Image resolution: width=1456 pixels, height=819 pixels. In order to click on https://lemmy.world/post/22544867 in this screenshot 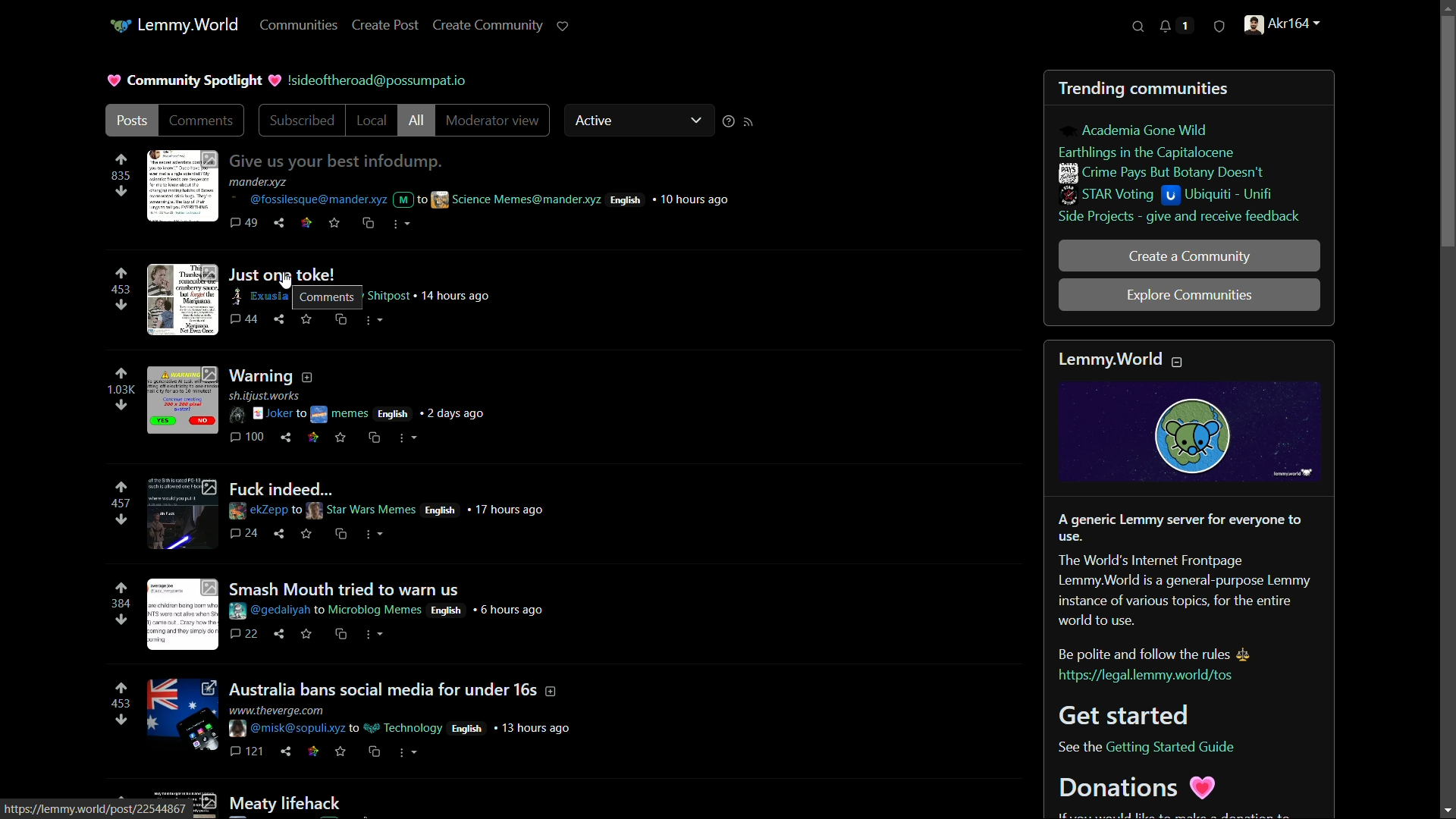, I will do `click(96, 808)`.